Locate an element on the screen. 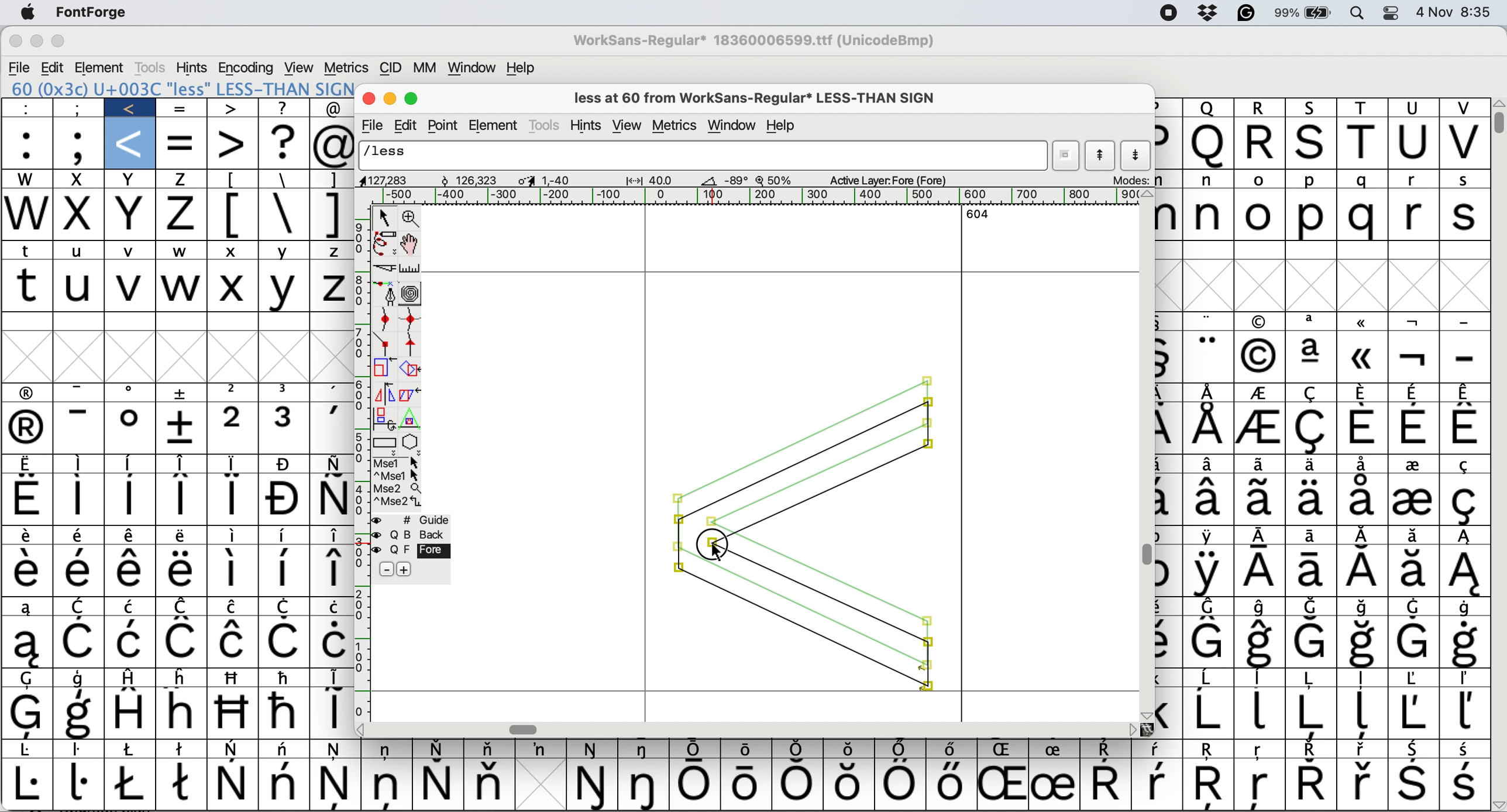 Image resolution: width=1507 pixels, height=812 pixels. Symbol is located at coordinates (232, 750).